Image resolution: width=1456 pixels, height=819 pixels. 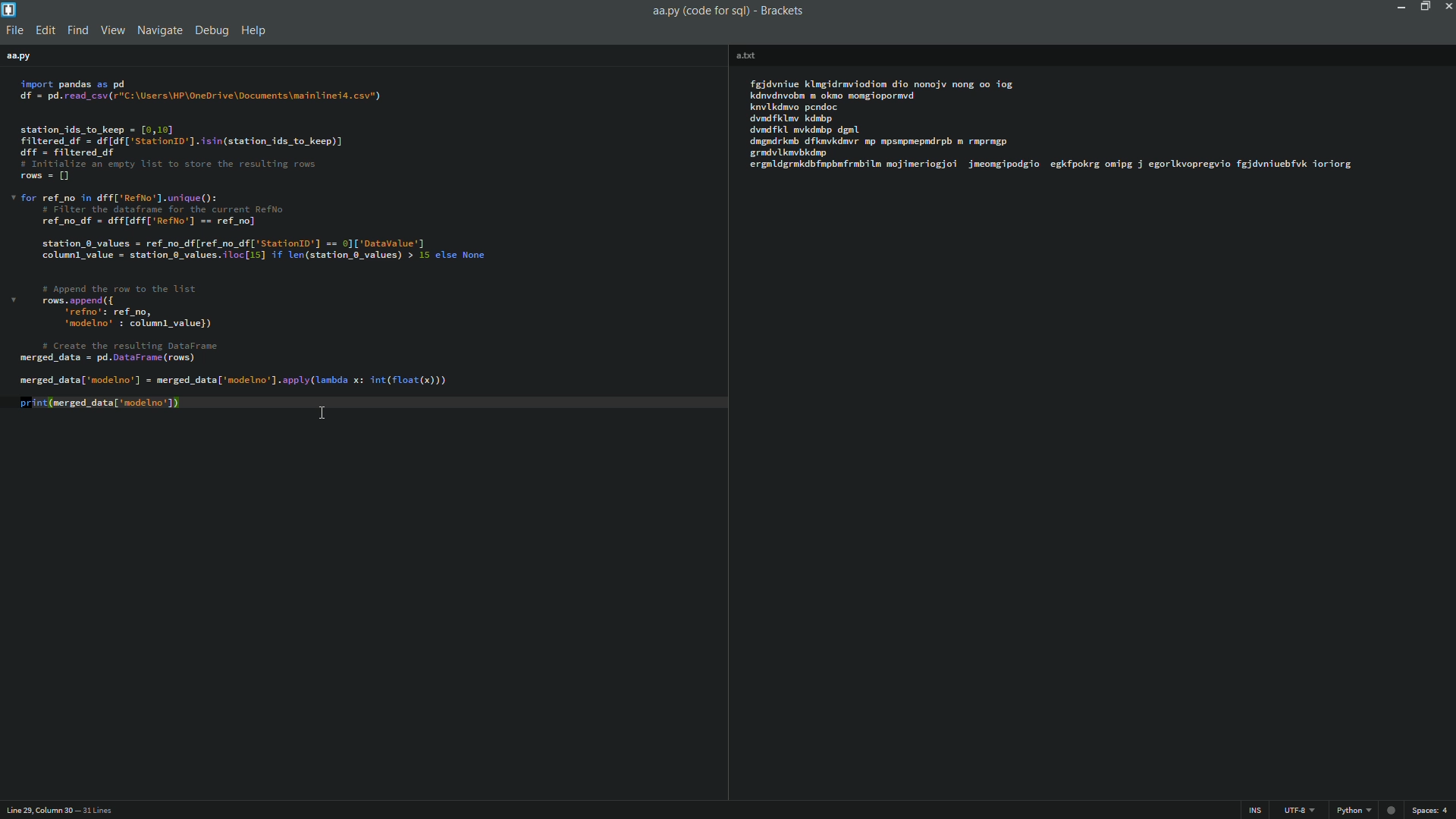 I want to click on help menu, so click(x=256, y=32).